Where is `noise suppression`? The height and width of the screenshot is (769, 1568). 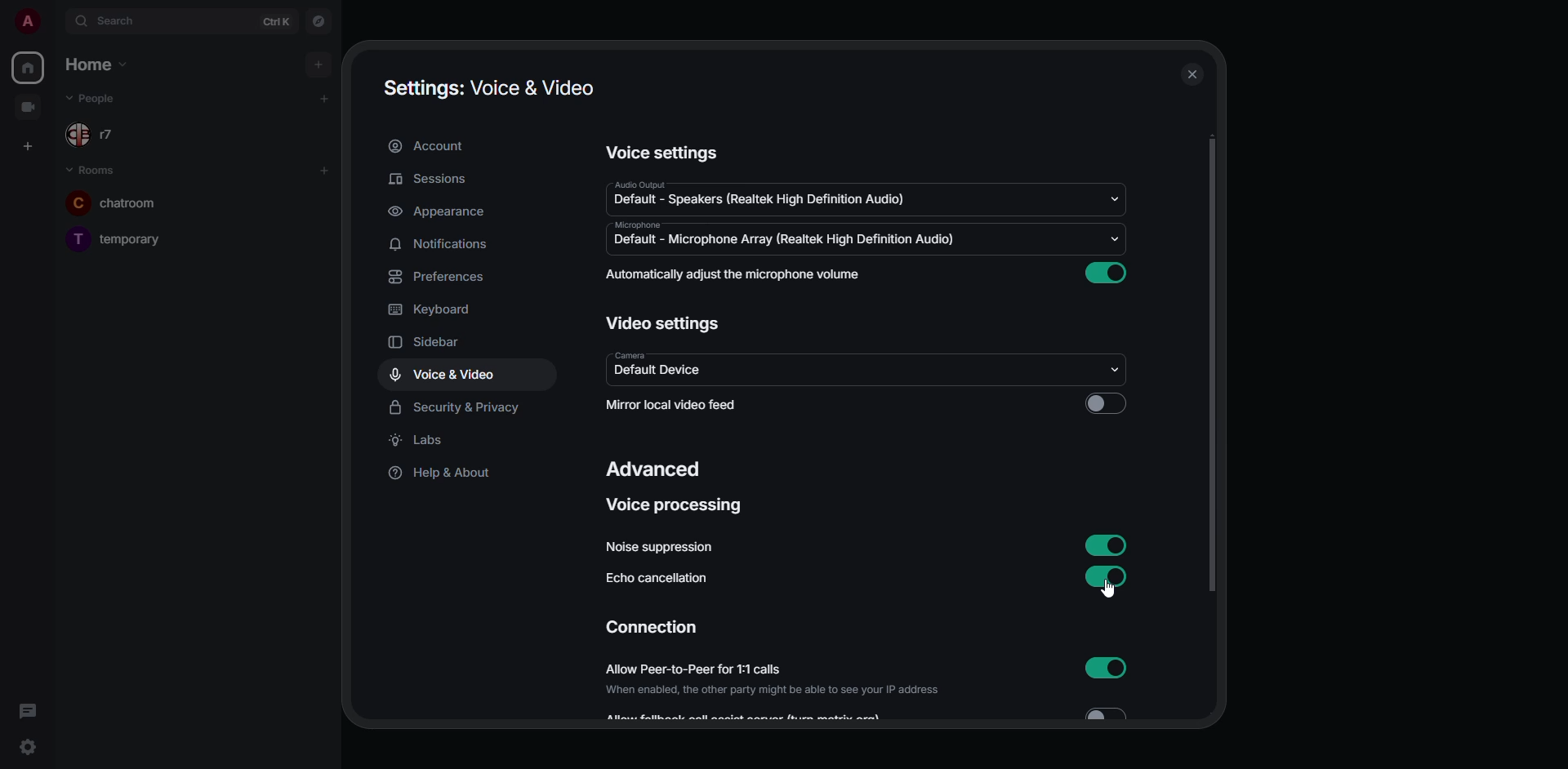
noise suppression is located at coordinates (657, 547).